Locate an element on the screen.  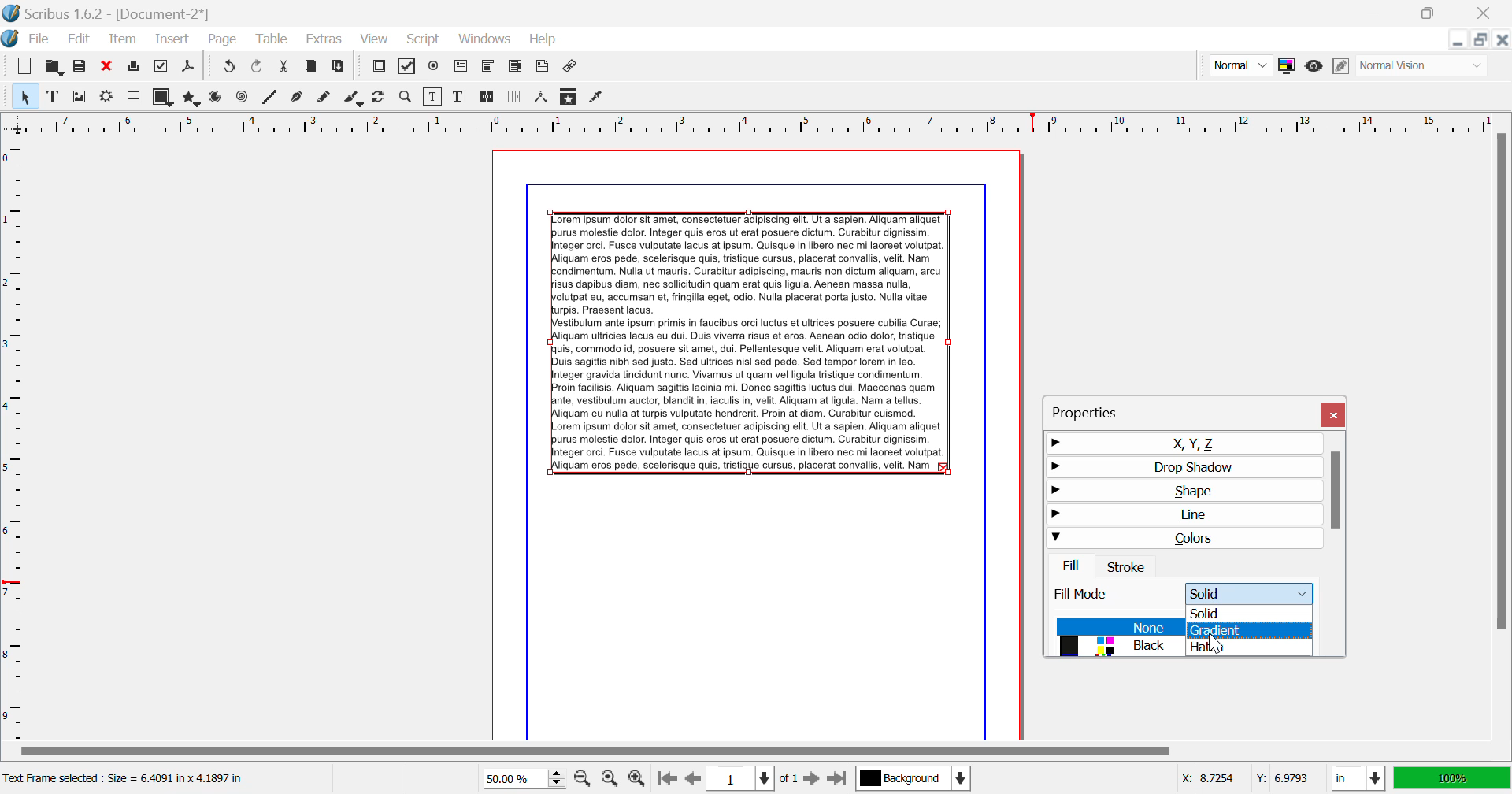
Render Frame is located at coordinates (106, 98).